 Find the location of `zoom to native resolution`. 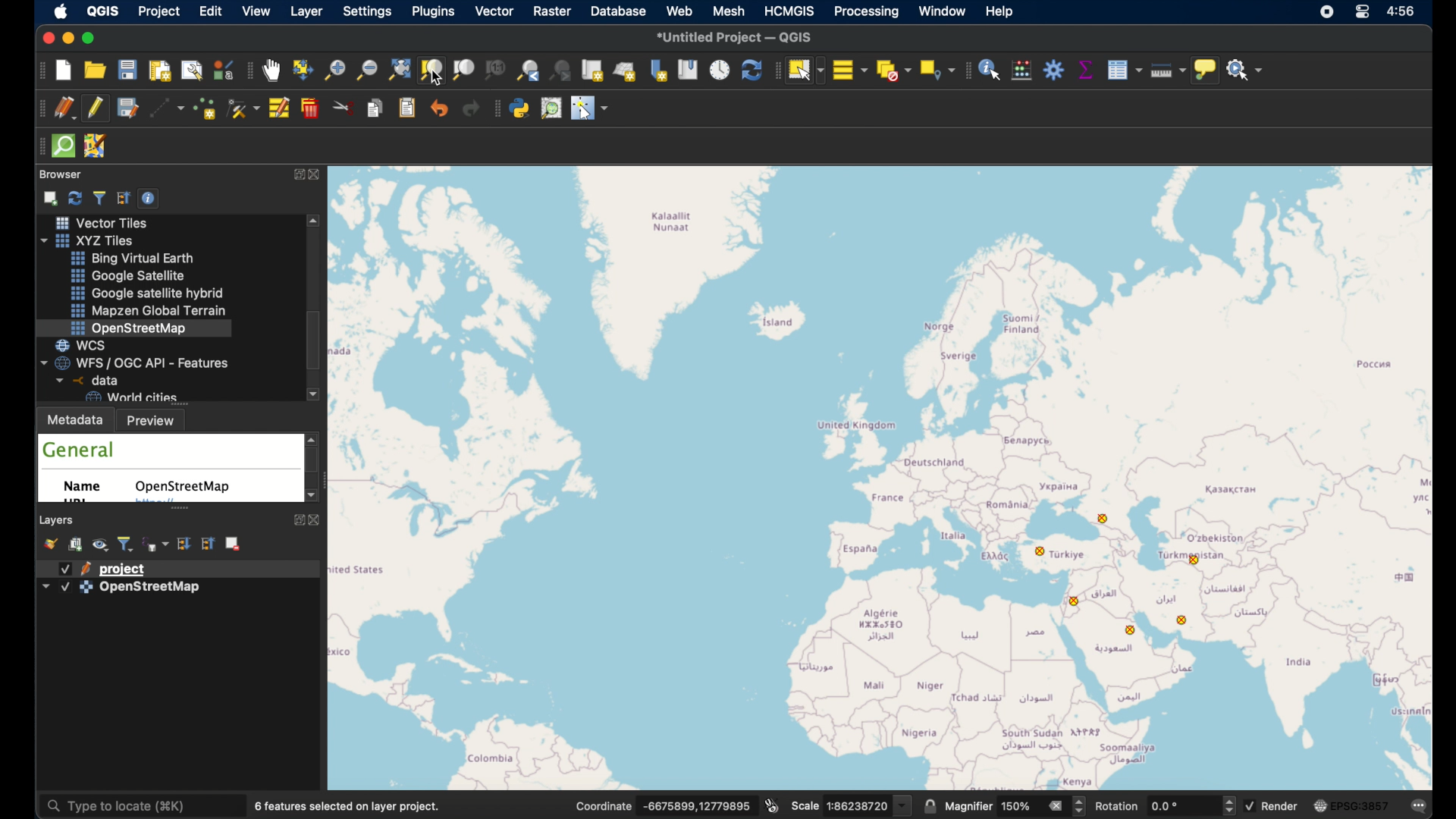

zoom to native resolution is located at coordinates (497, 71).